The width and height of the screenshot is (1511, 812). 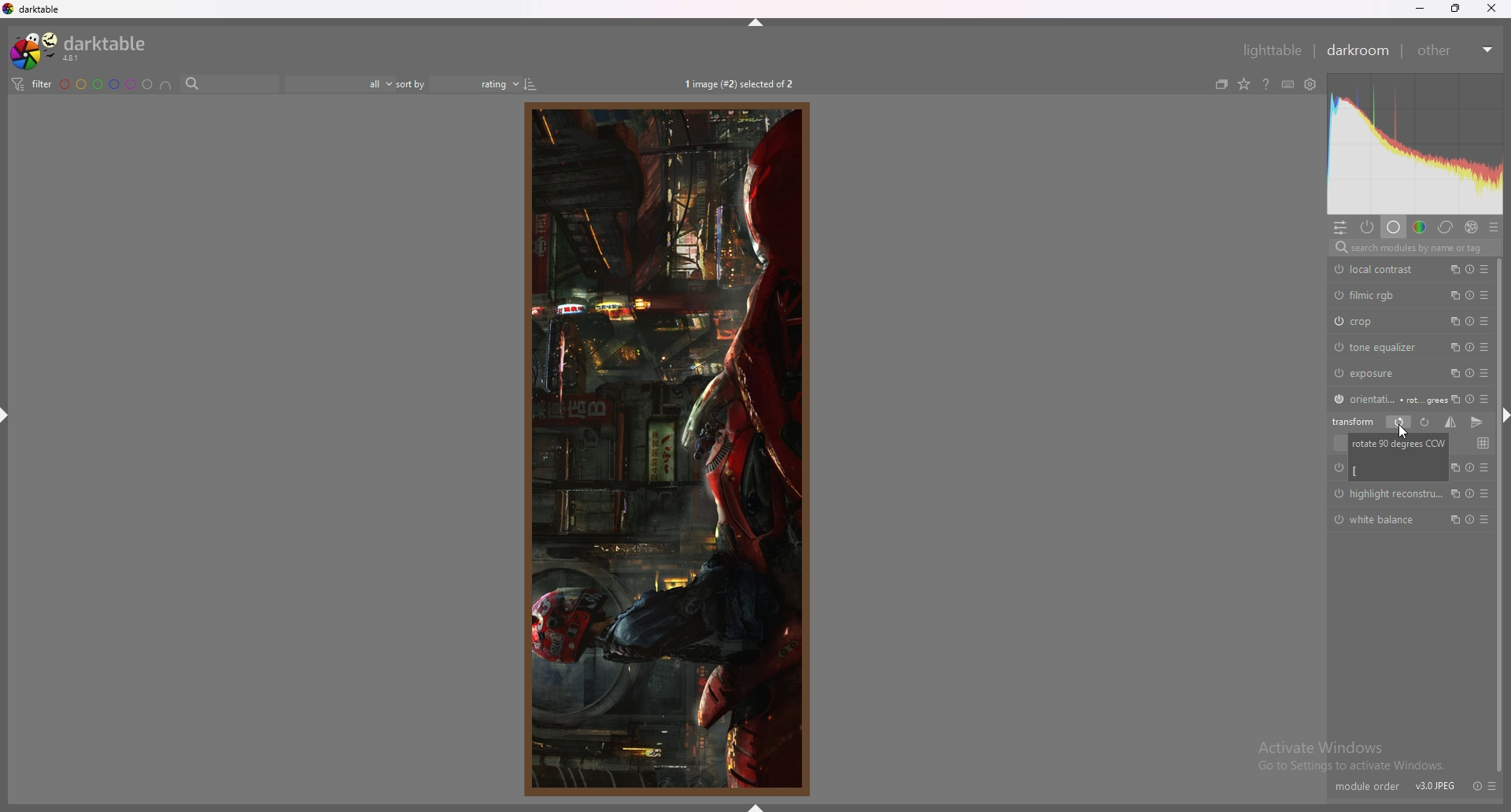 I want to click on rotated image, so click(x=662, y=450).